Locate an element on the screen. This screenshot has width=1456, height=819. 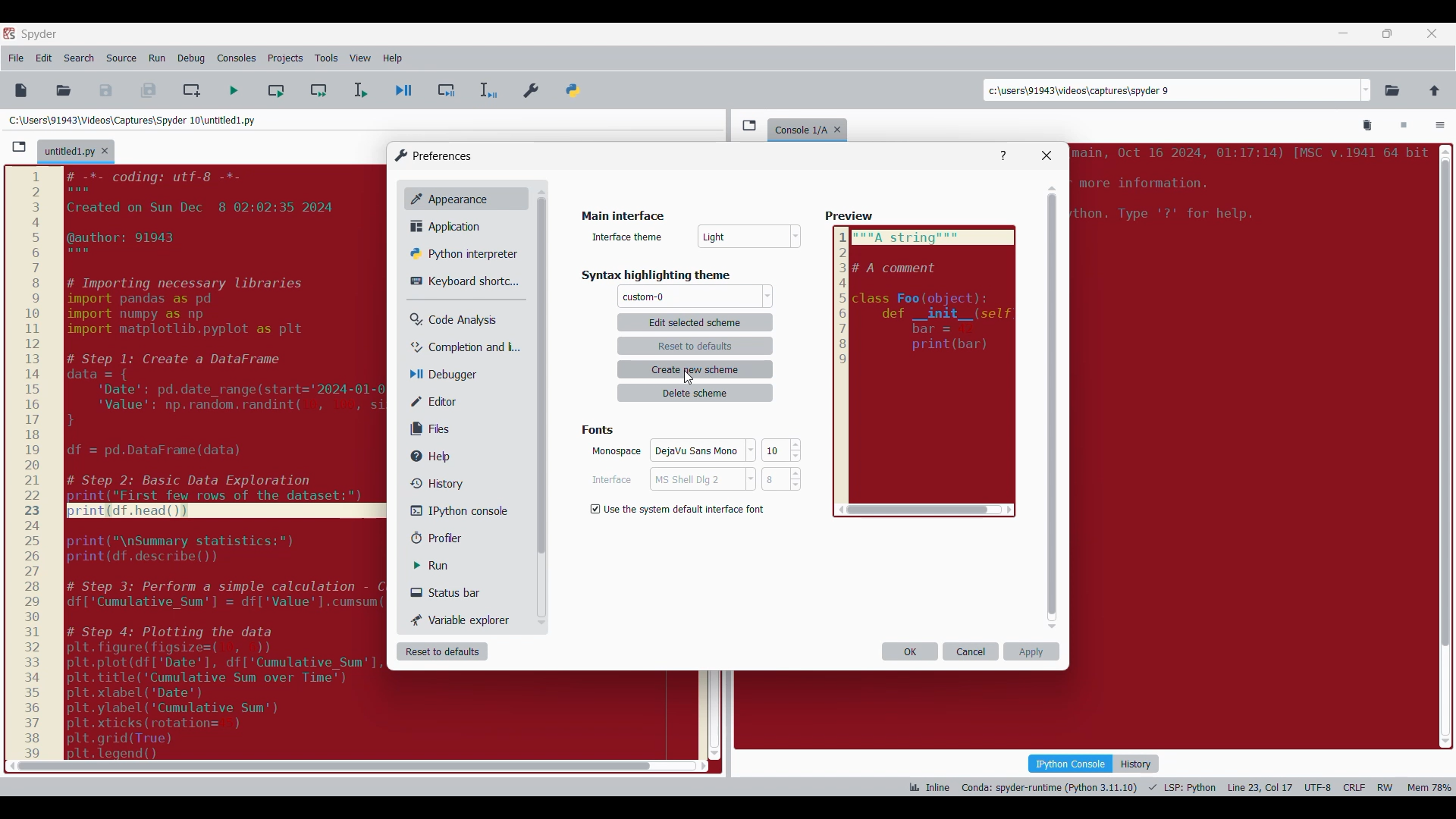
Run menu is located at coordinates (157, 58).